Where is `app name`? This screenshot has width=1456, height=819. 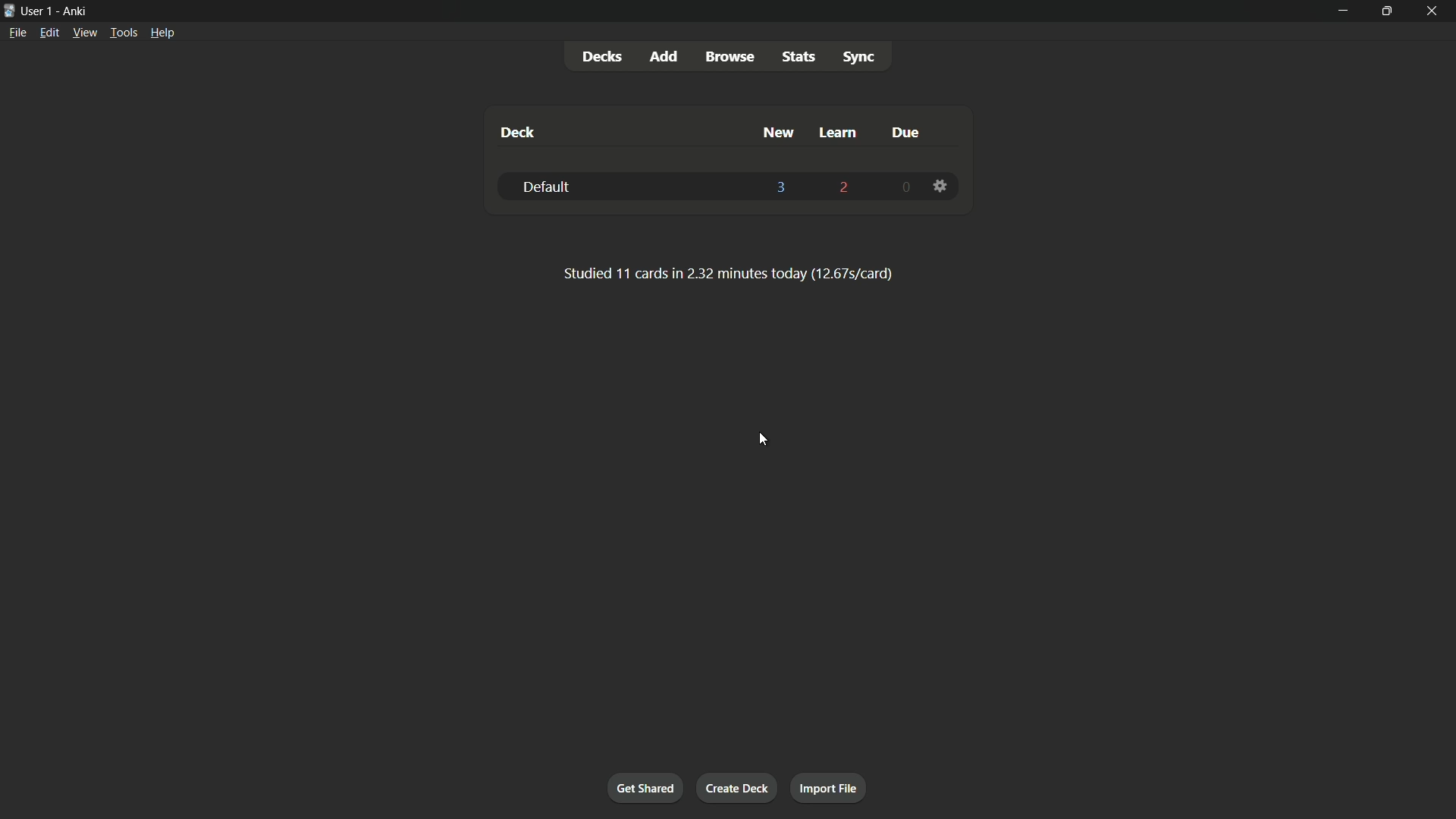
app name is located at coordinates (74, 11).